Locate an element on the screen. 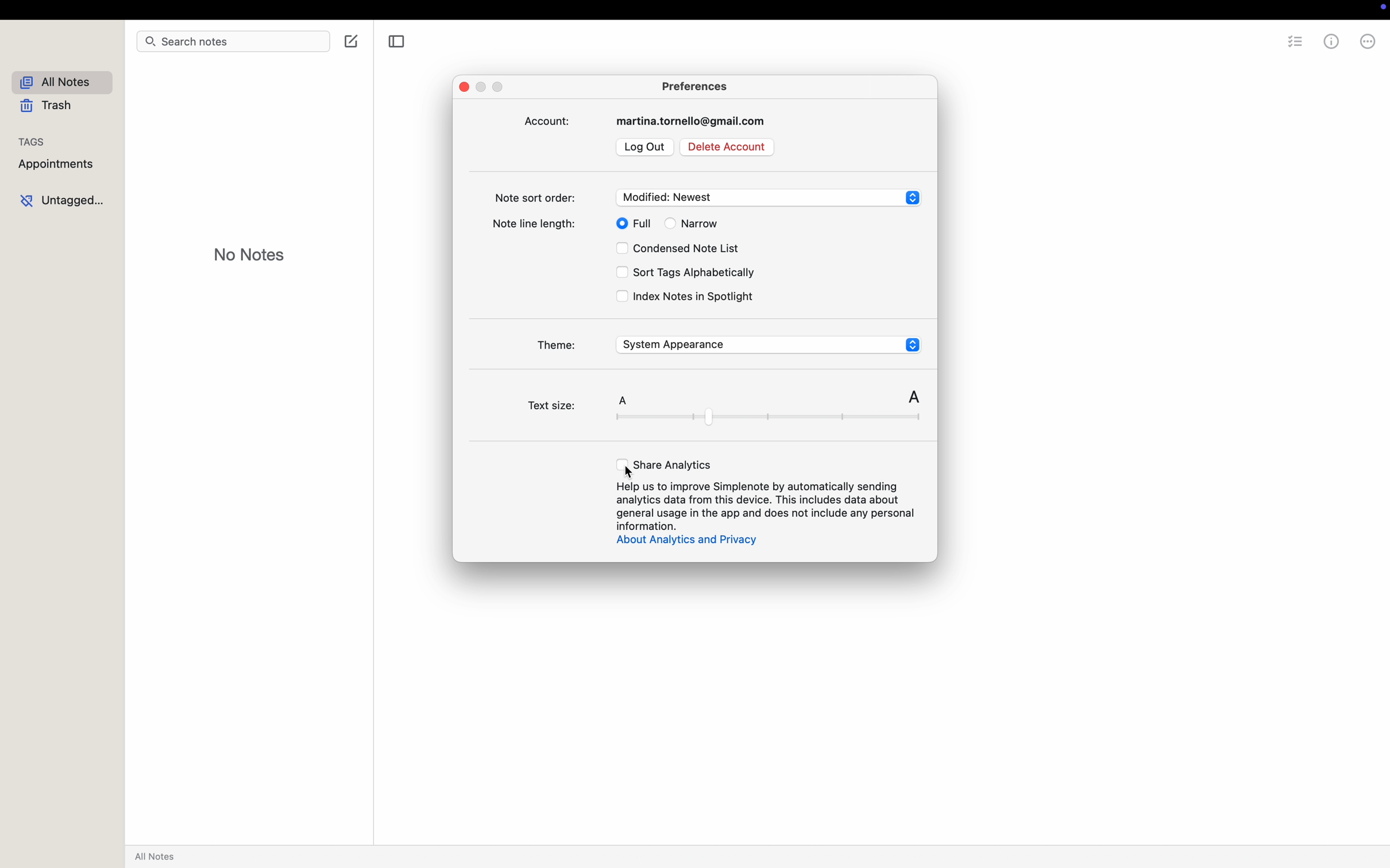 This screenshot has height=868, width=1390. more options is located at coordinates (1368, 43).